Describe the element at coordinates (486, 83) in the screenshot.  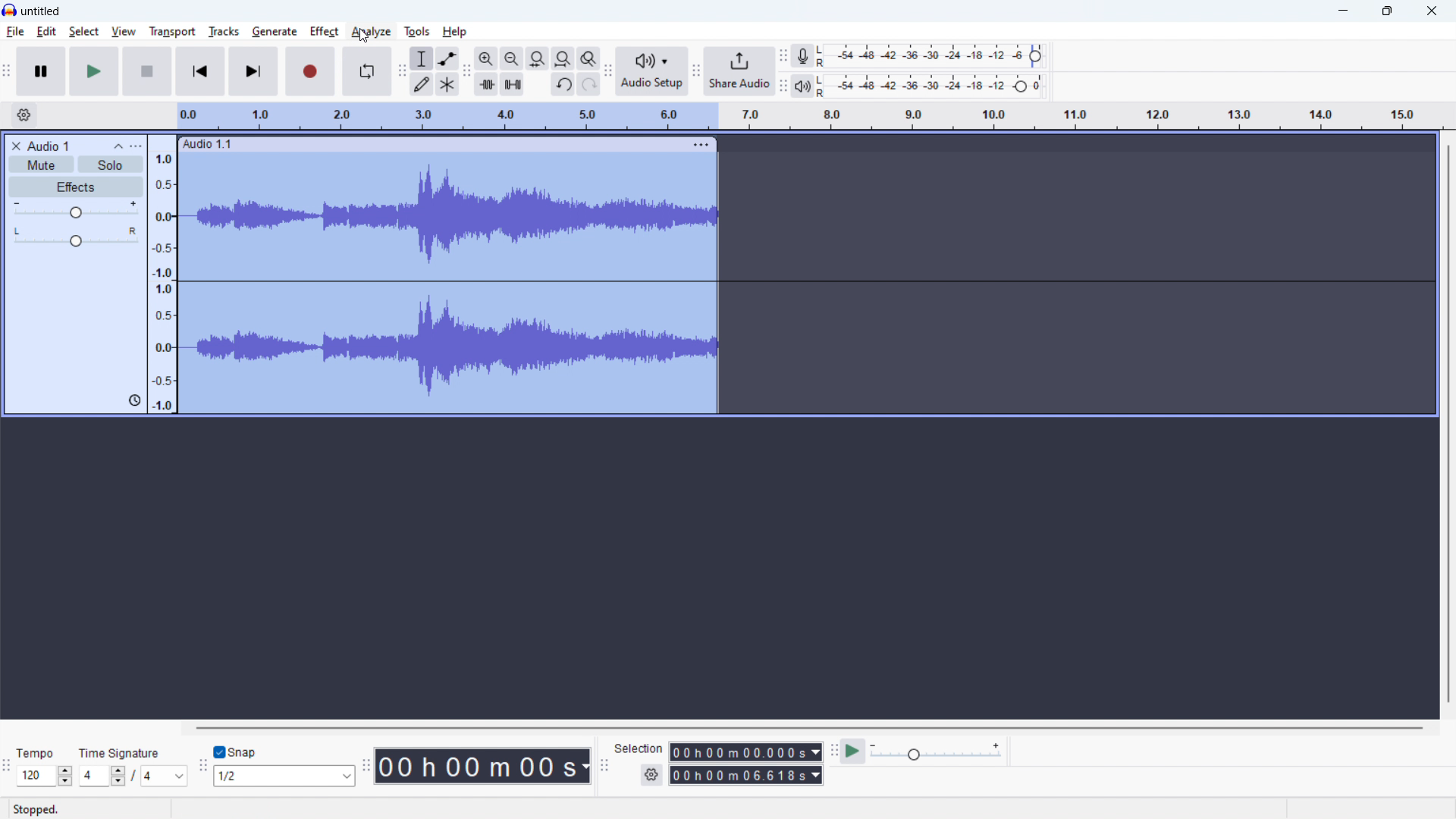
I see `trim audio outside selection` at that location.